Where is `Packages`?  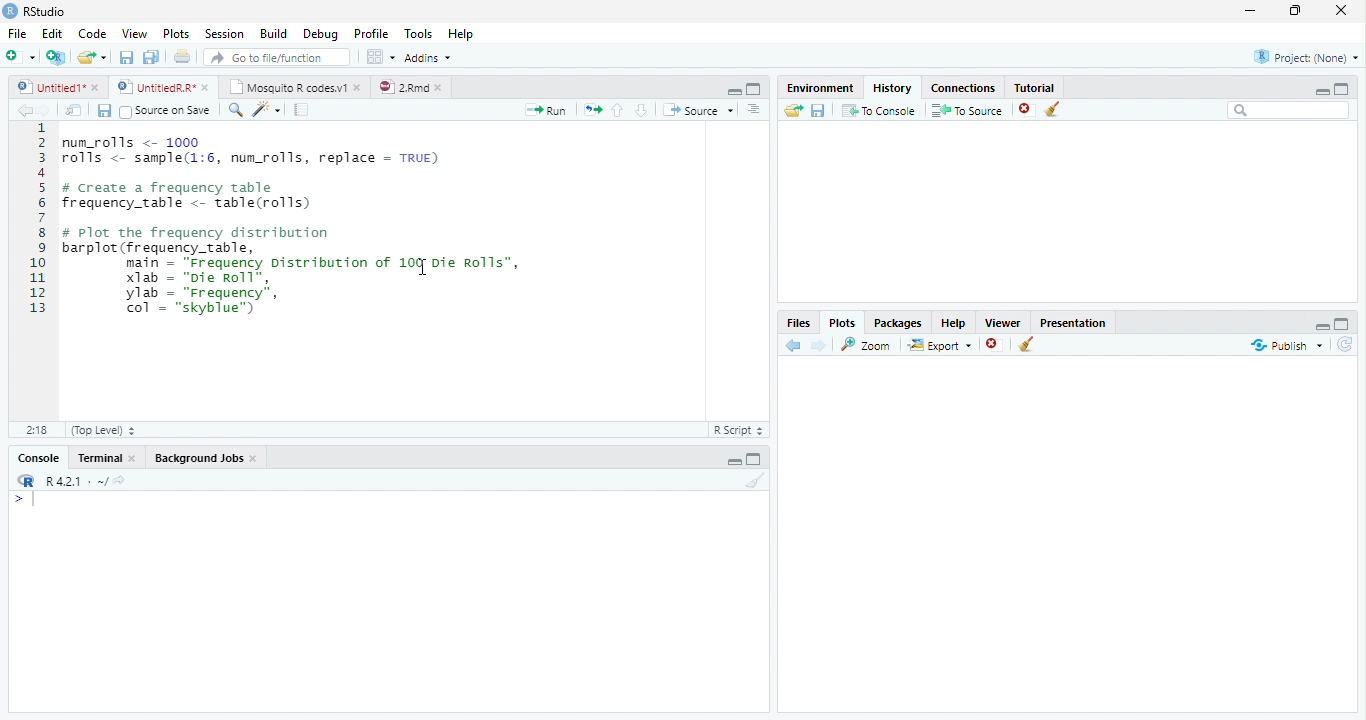
Packages is located at coordinates (899, 322).